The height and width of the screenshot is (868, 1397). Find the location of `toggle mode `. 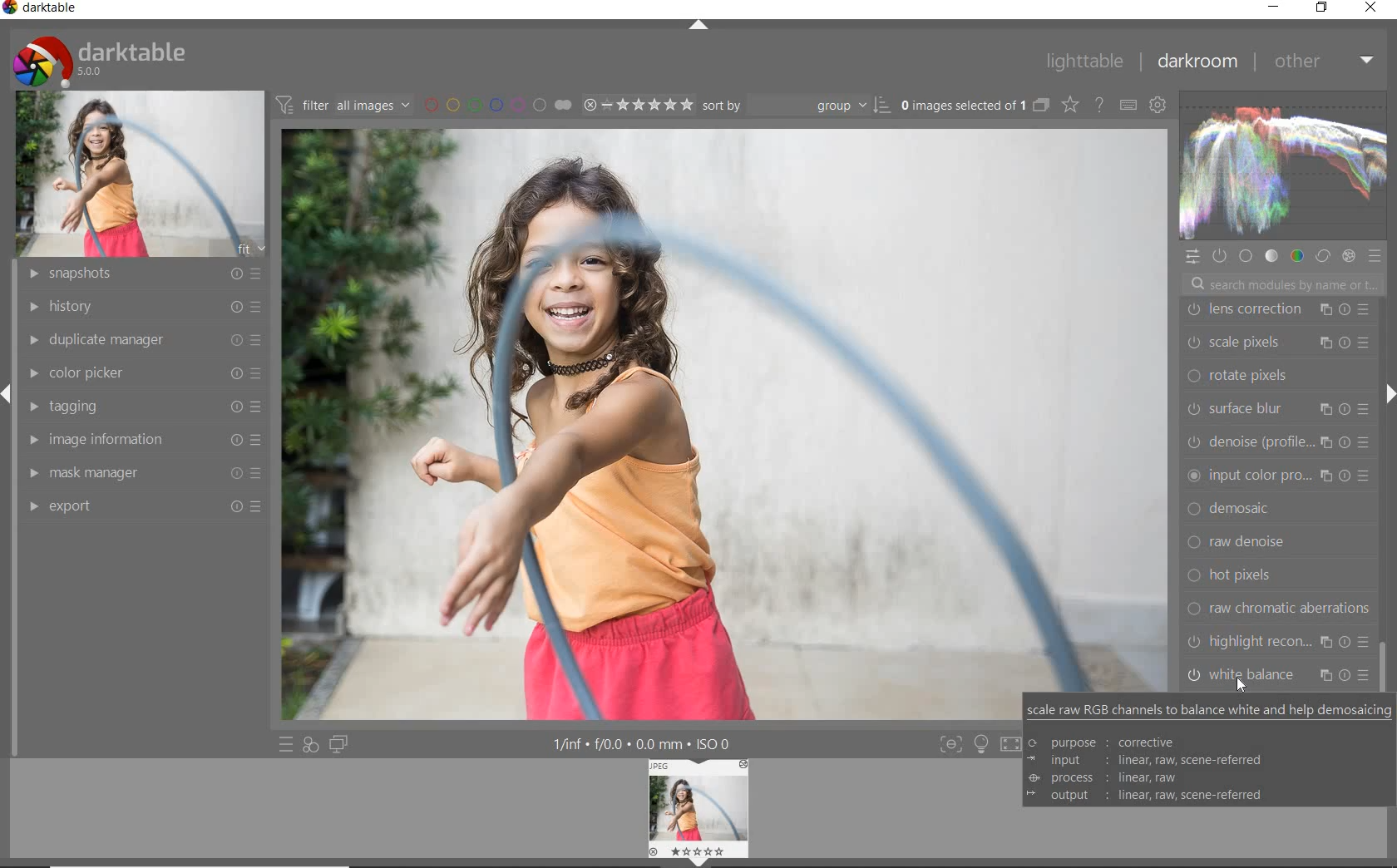

toggle mode  is located at coordinates (1280, 675).